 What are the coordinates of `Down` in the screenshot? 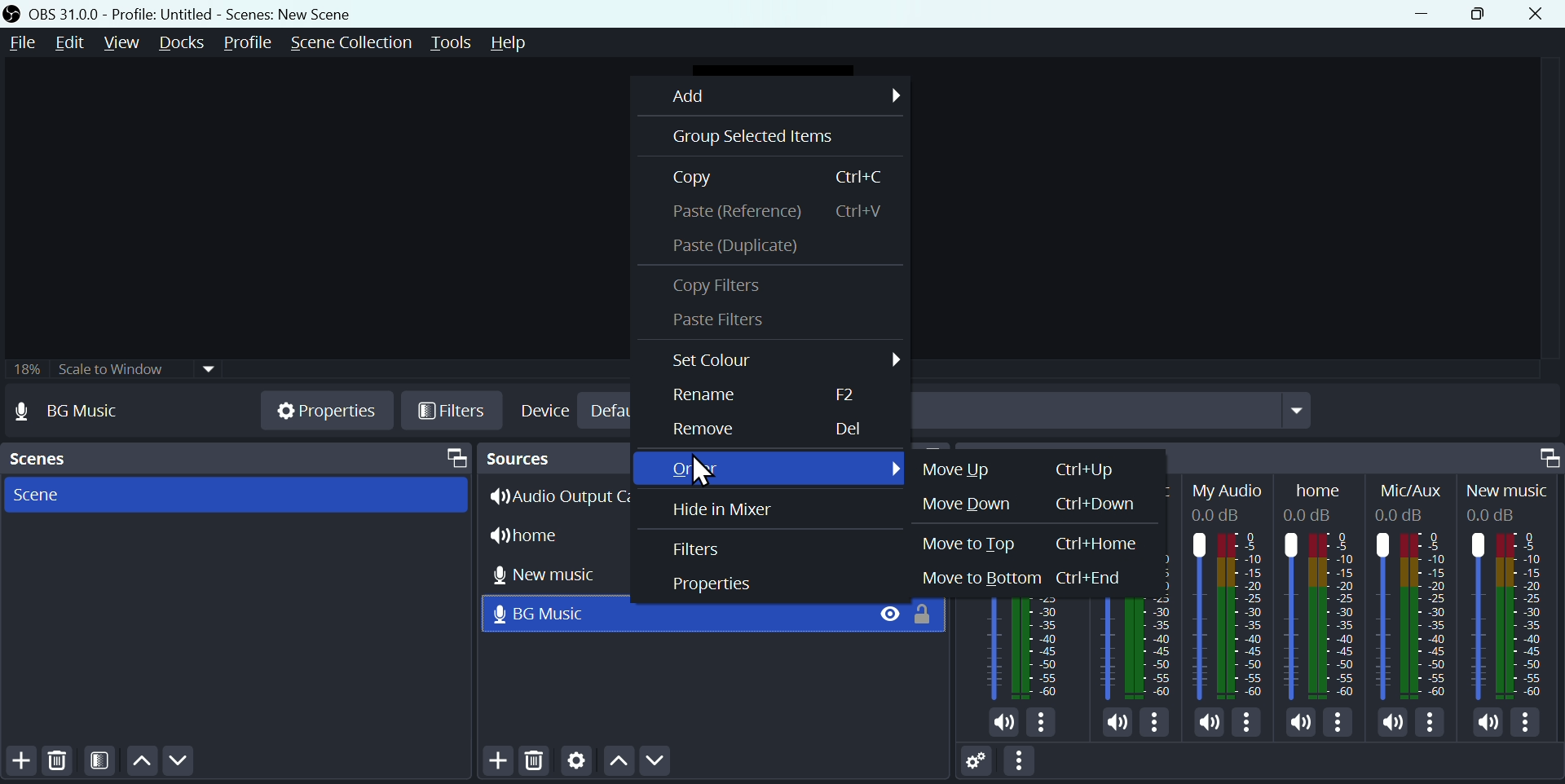 It's located at (183, 764).